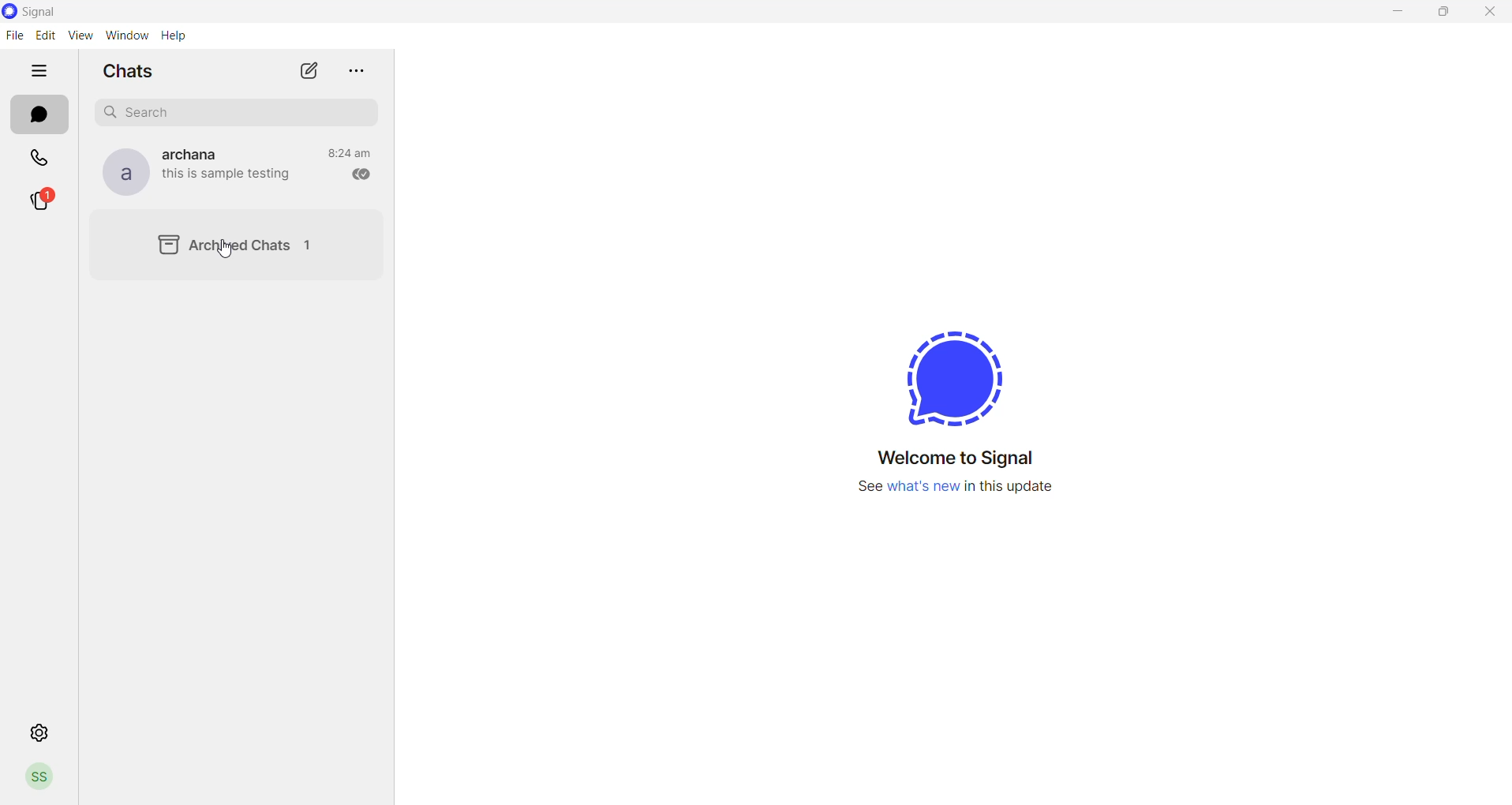 Image resolution: width=1512 pixels, height=805 pixels. I want to click on information regarding new update, so click(953, 489).